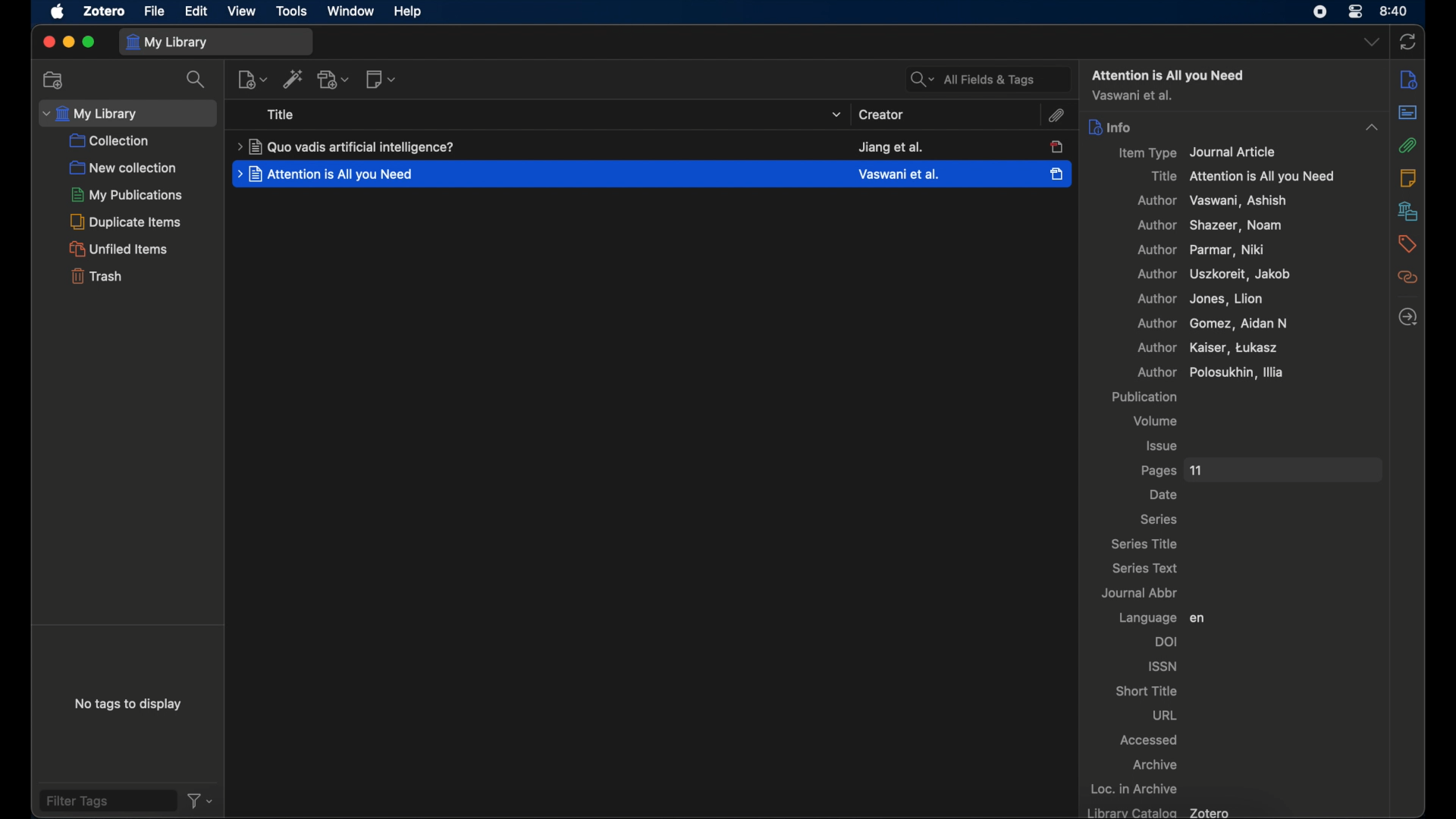 The height and width of the screenshot is (819, 1456). Describe the element at coordinates (1160, 811) in the screenshot. I see `library catalog zotero` at that location.